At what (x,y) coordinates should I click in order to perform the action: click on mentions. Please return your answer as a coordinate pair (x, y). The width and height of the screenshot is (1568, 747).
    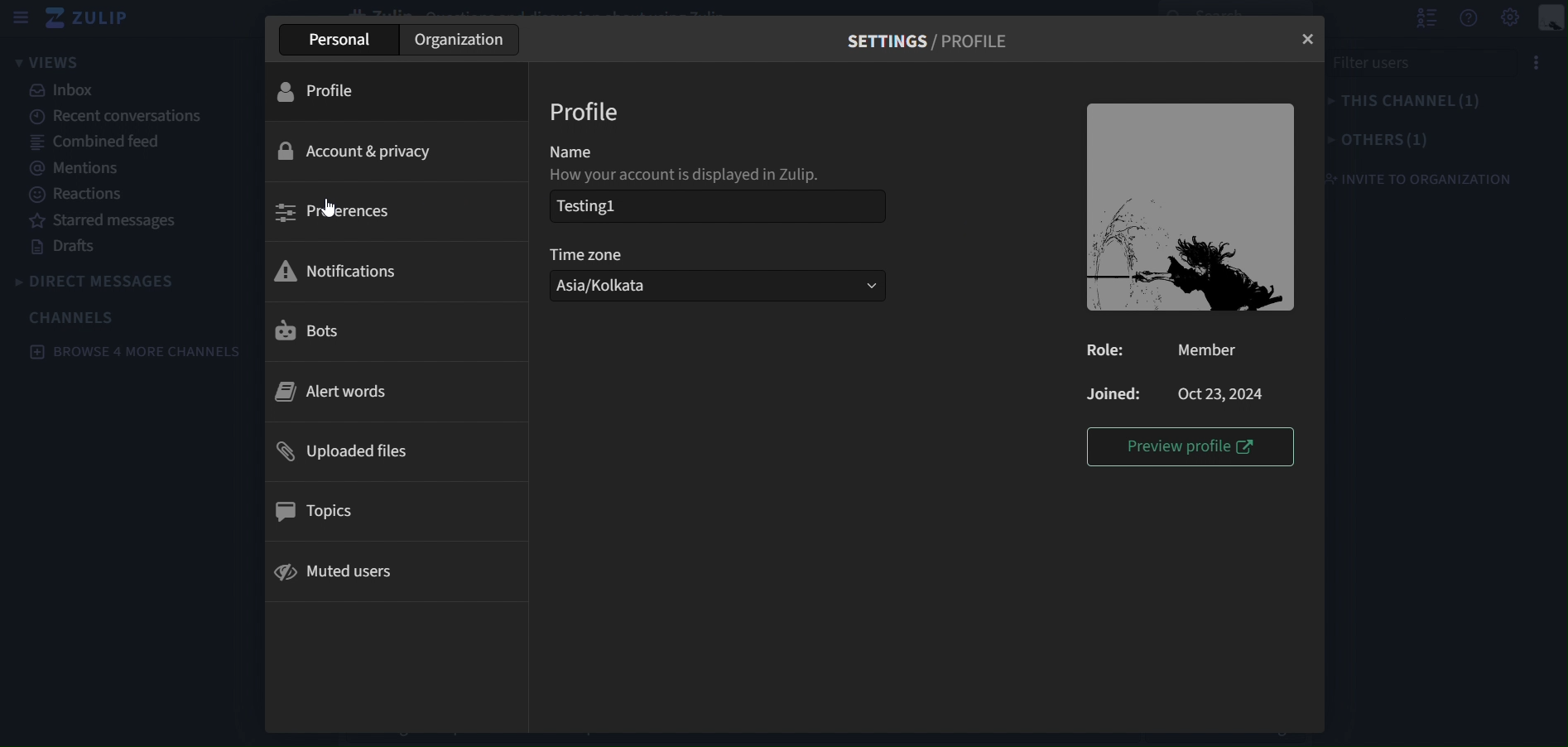
    Looking at the image, I should click on (71, 169).